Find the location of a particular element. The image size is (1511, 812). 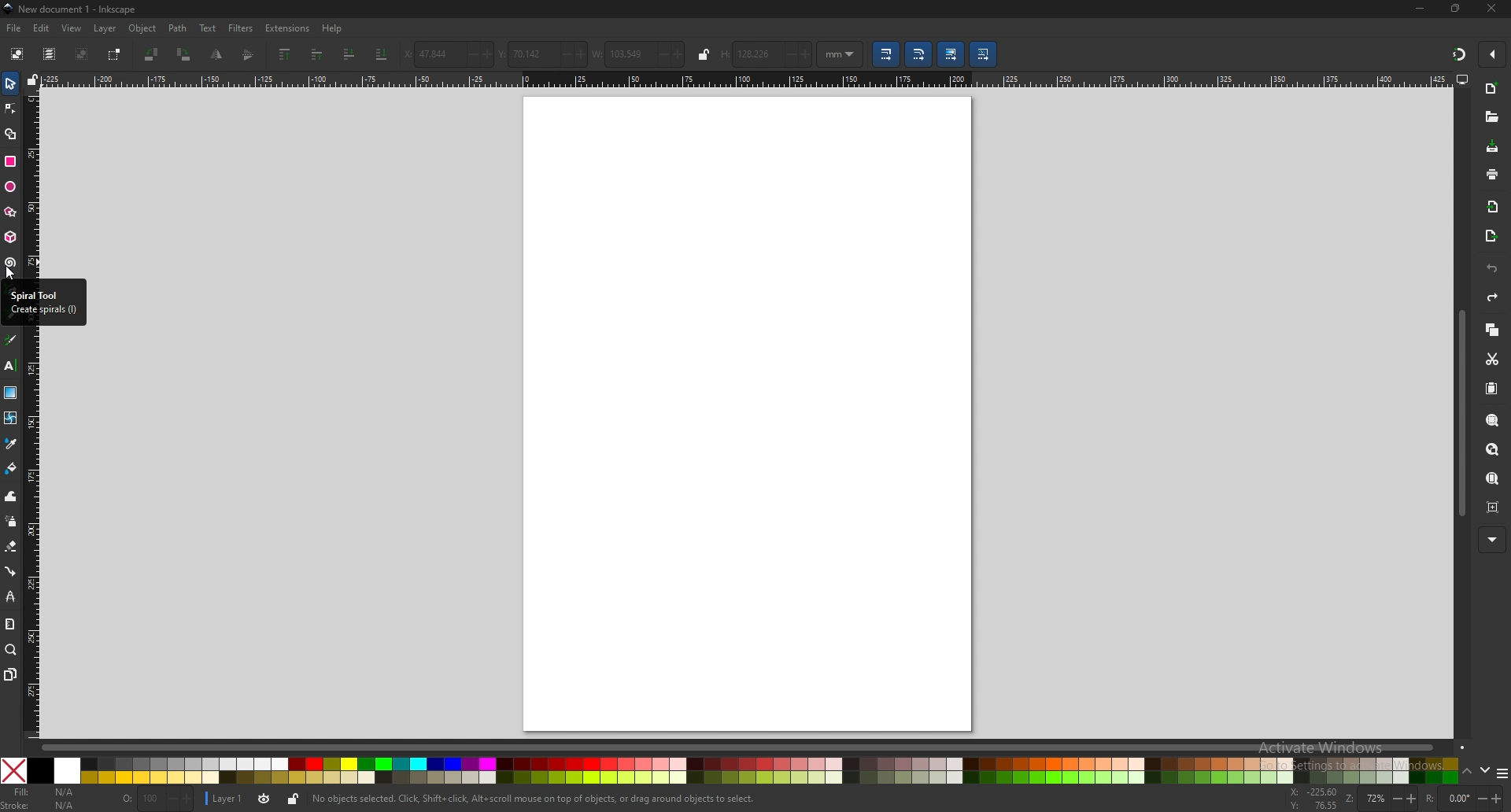

X: 47.844 is located at coordinates (445, 51).